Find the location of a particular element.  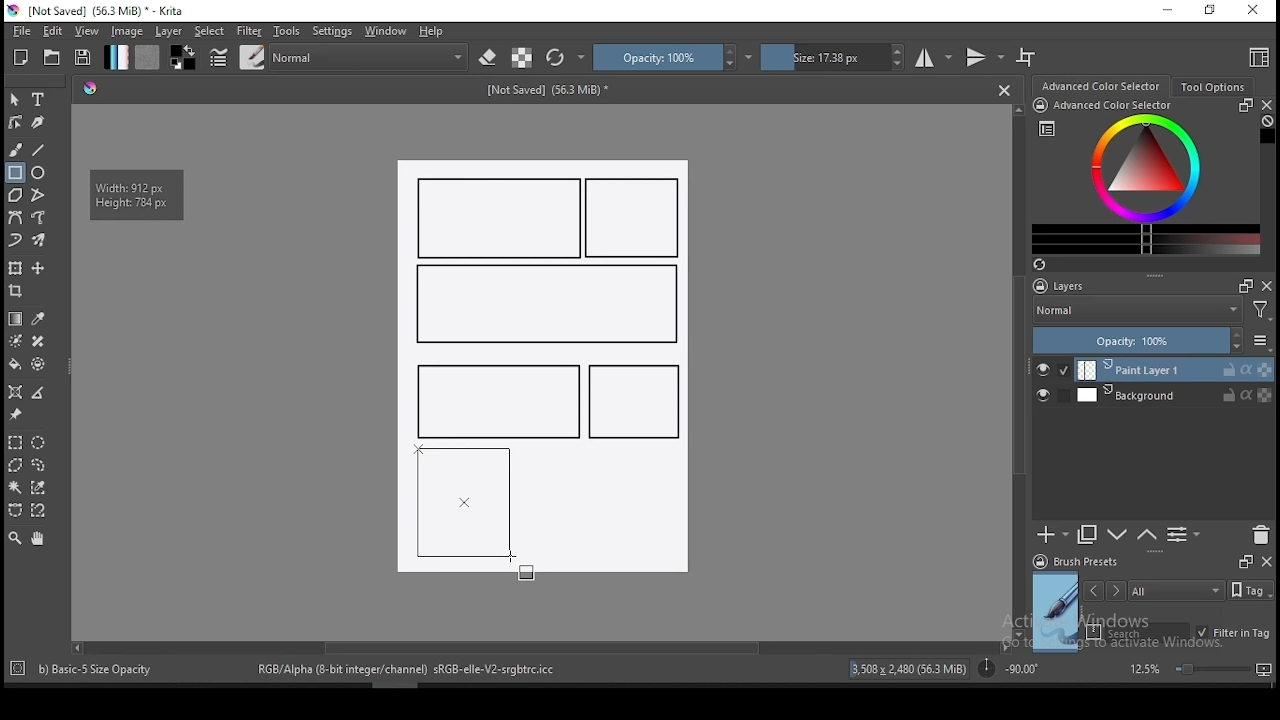

duplicate layer is located at coordinates (1088, 534).